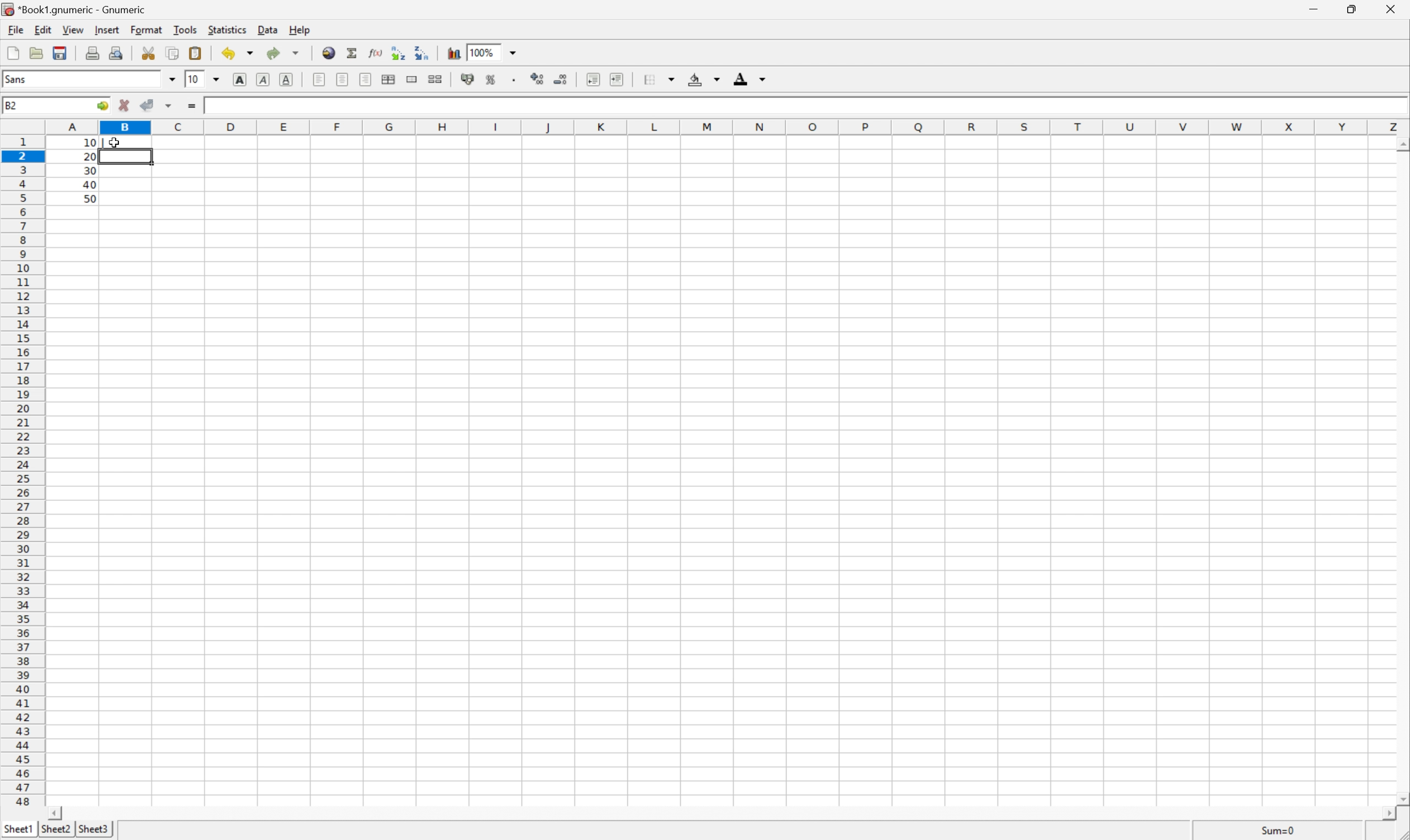  I want to click on Create a new workbook, so click(14, 52).